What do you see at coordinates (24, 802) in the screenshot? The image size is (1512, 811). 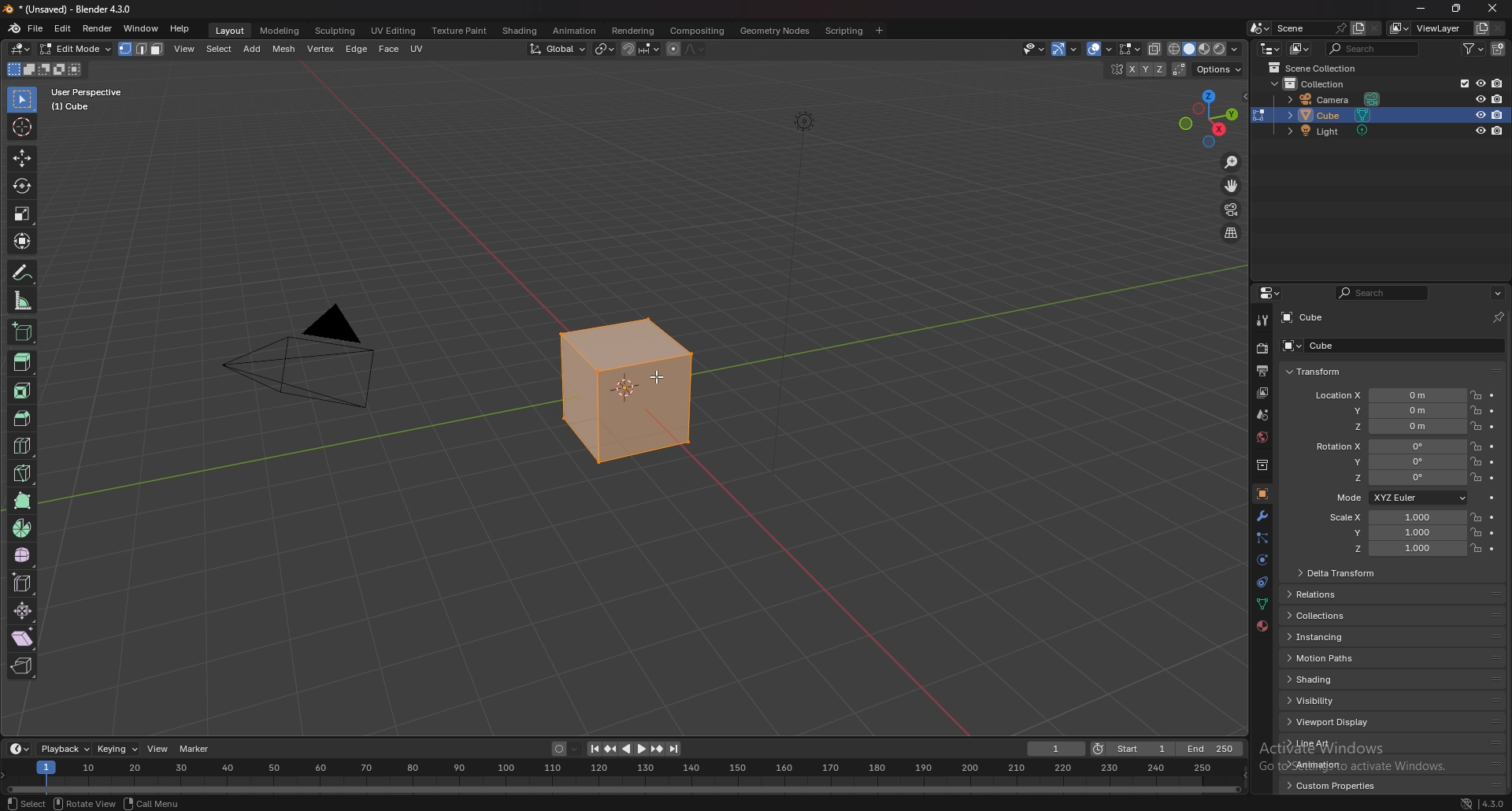 I see `select` at bounding box center [24, 802].